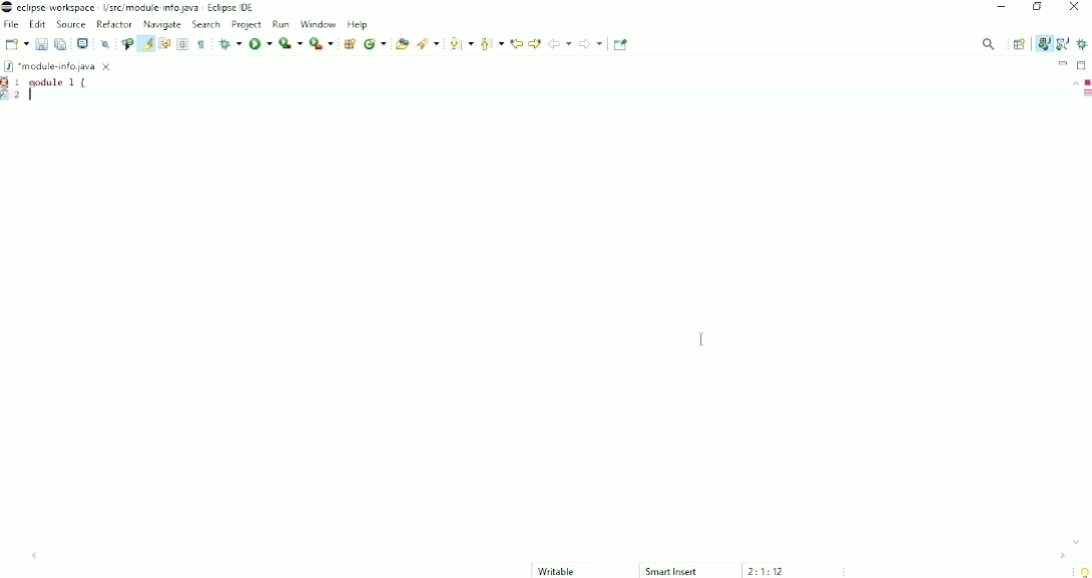 The height and width of the screenshot is (578, 1092). I want to click on Refactor, so click(114, 24).